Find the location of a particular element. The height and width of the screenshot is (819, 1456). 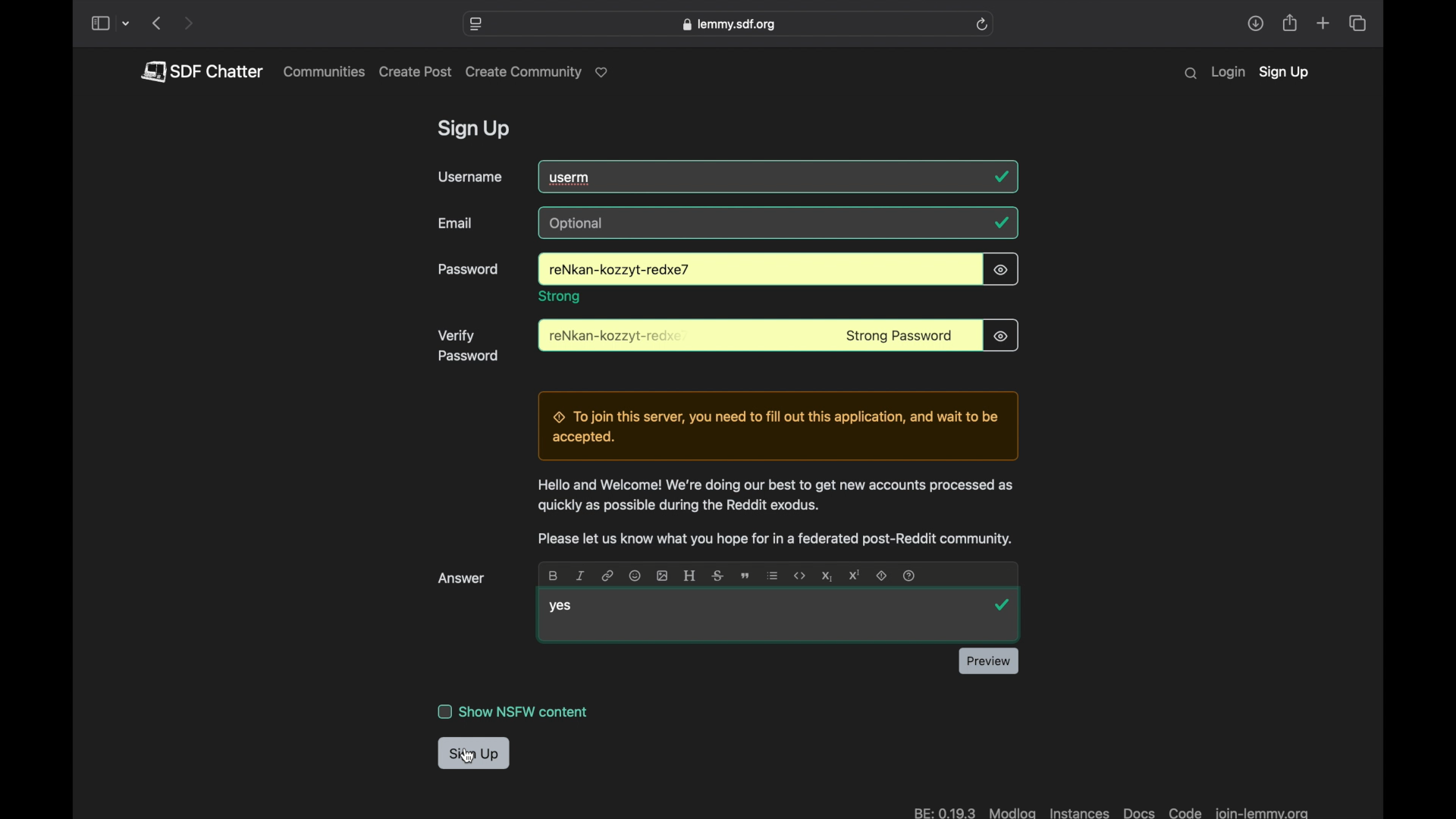

join-lemma.org is located at coordinates (1261, 811).